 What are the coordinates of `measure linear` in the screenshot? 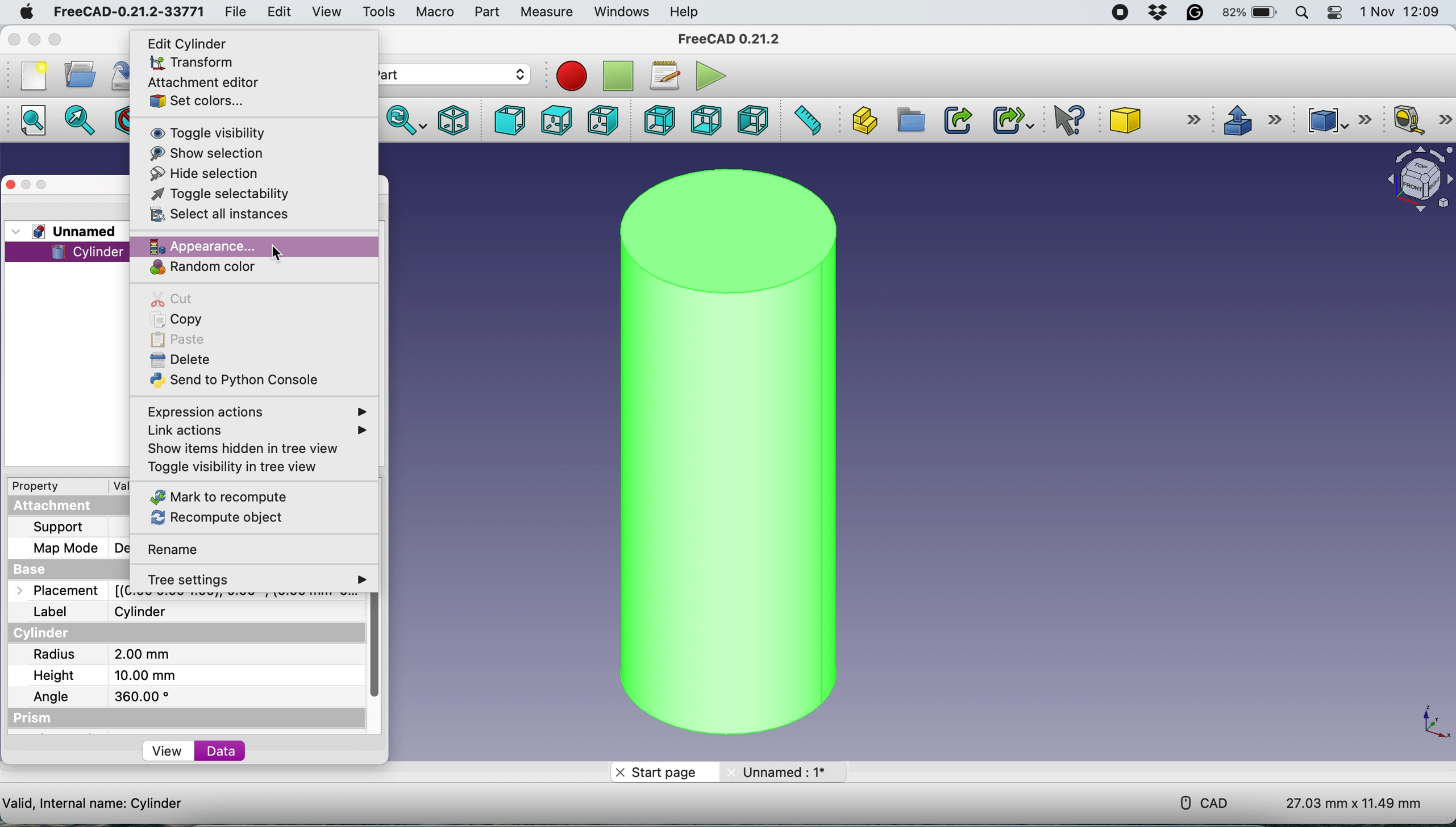 It's located at (1420, 121).